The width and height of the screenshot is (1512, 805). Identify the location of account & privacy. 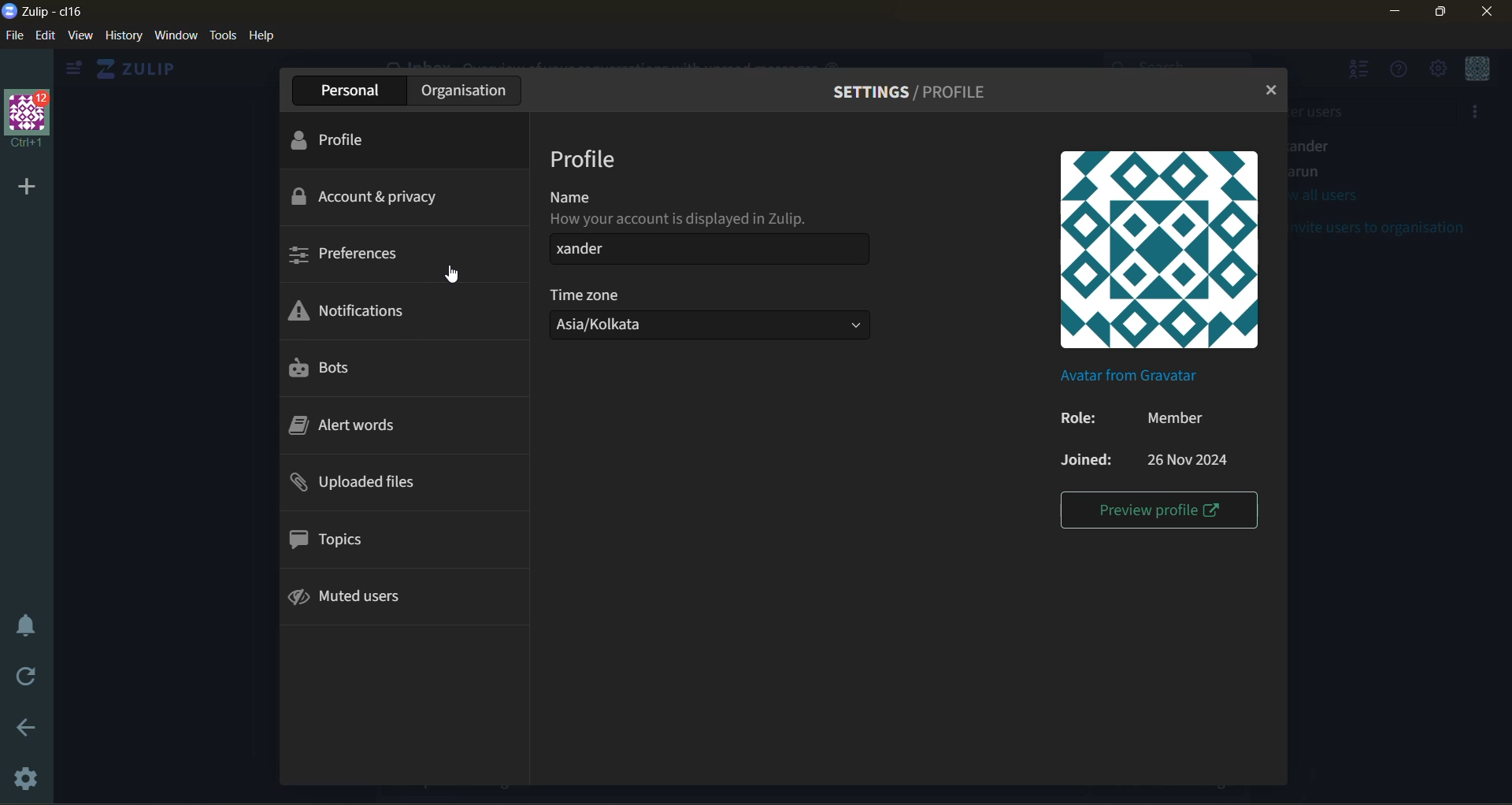
(376, 197).